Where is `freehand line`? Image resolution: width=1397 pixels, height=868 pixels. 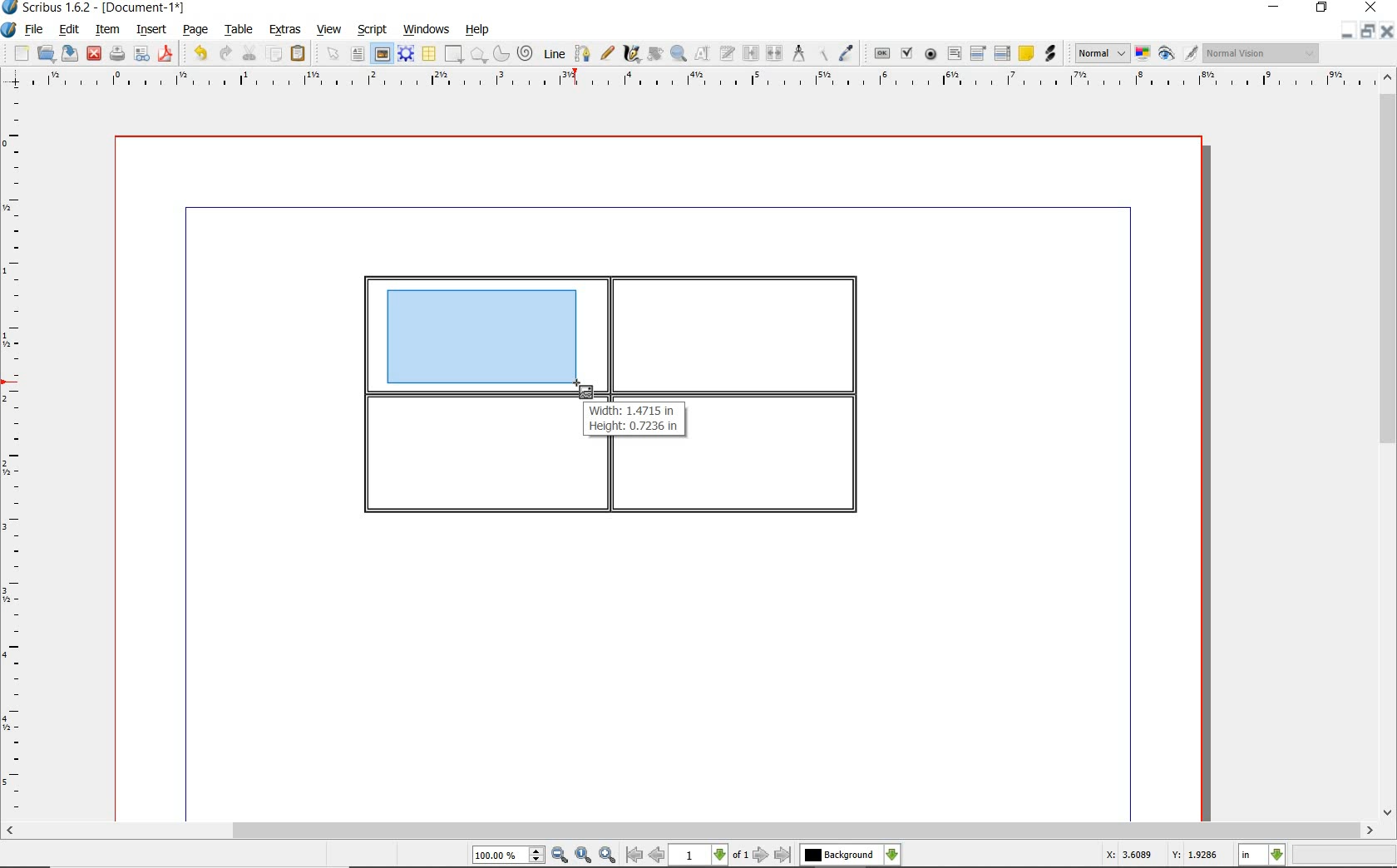
freehand line is located at coordinates (609, 54).